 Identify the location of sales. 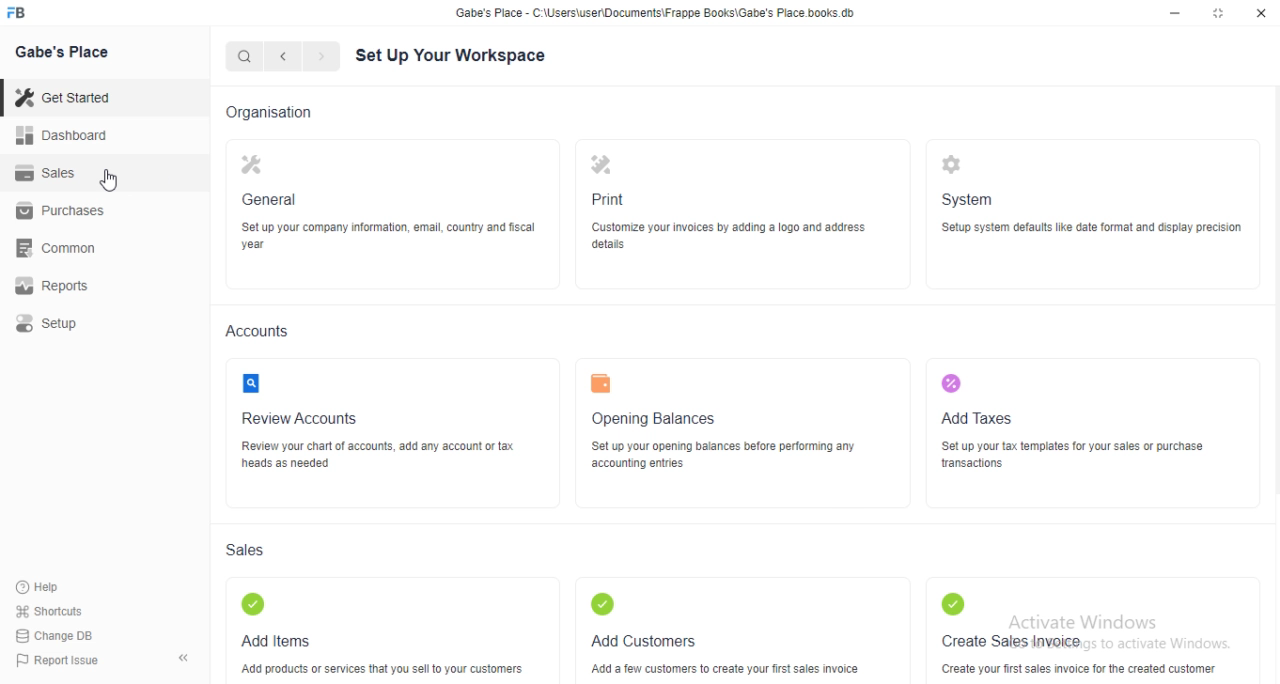
(48, 172).